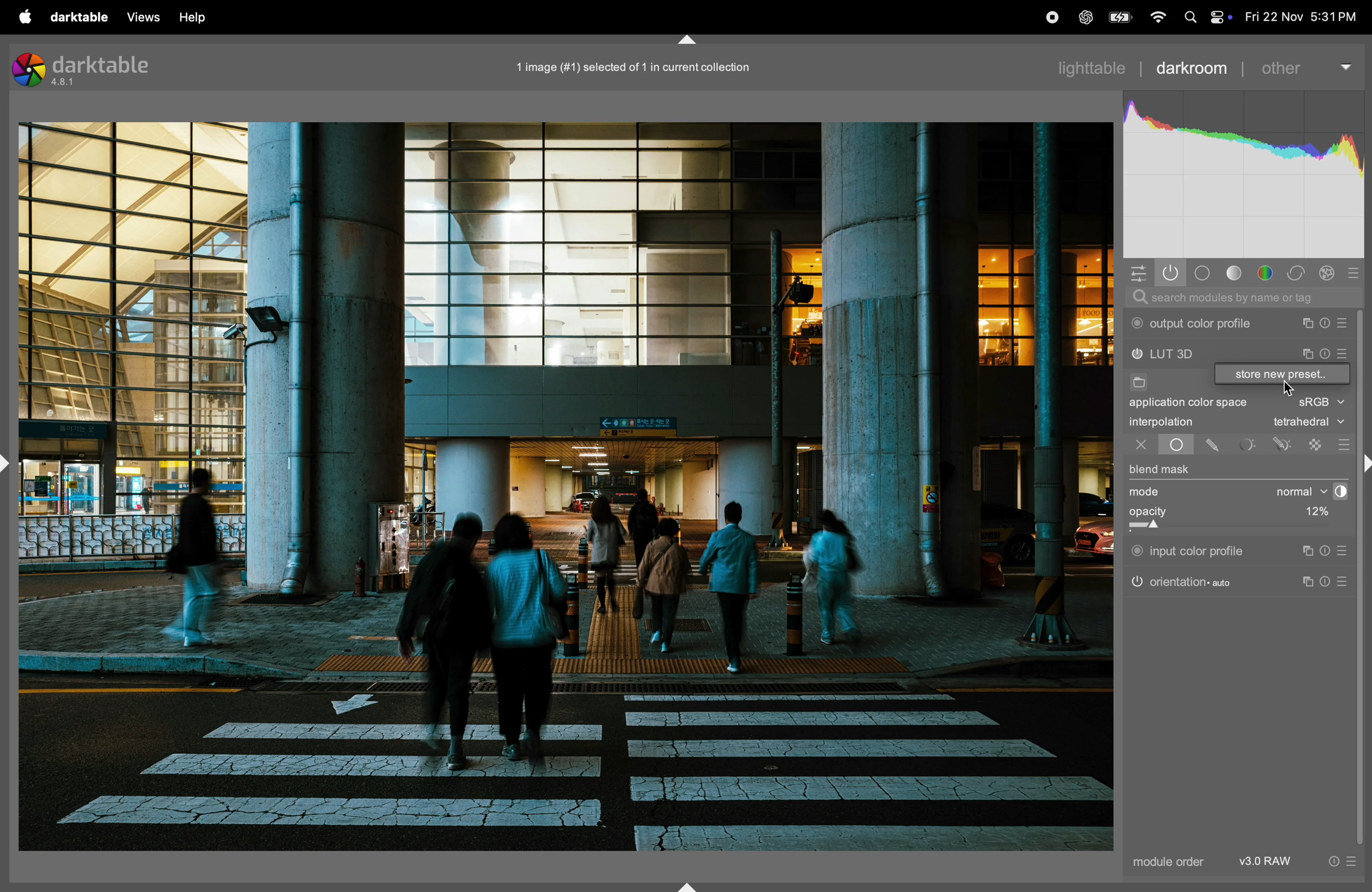 The width and height of the screenshot is (1372, 892). What do you see at coordinates (1364, 576) in the screenshot?
I see `scroll bar` at bounding box center [1364, 576].